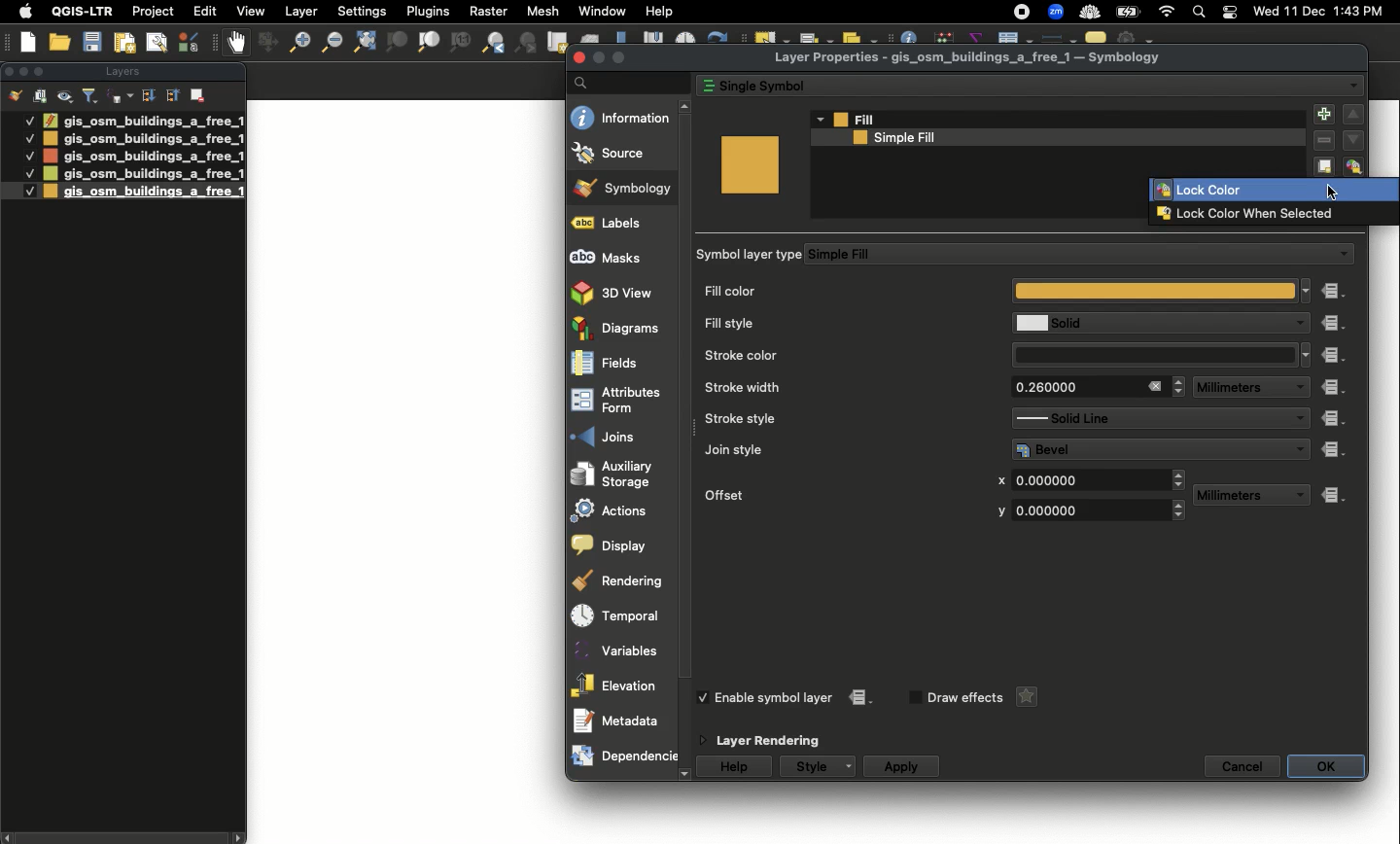  What do you see at coordinates (265, 43) in the screenshot?
I see `Style manager` at bounding box center [265, 43].